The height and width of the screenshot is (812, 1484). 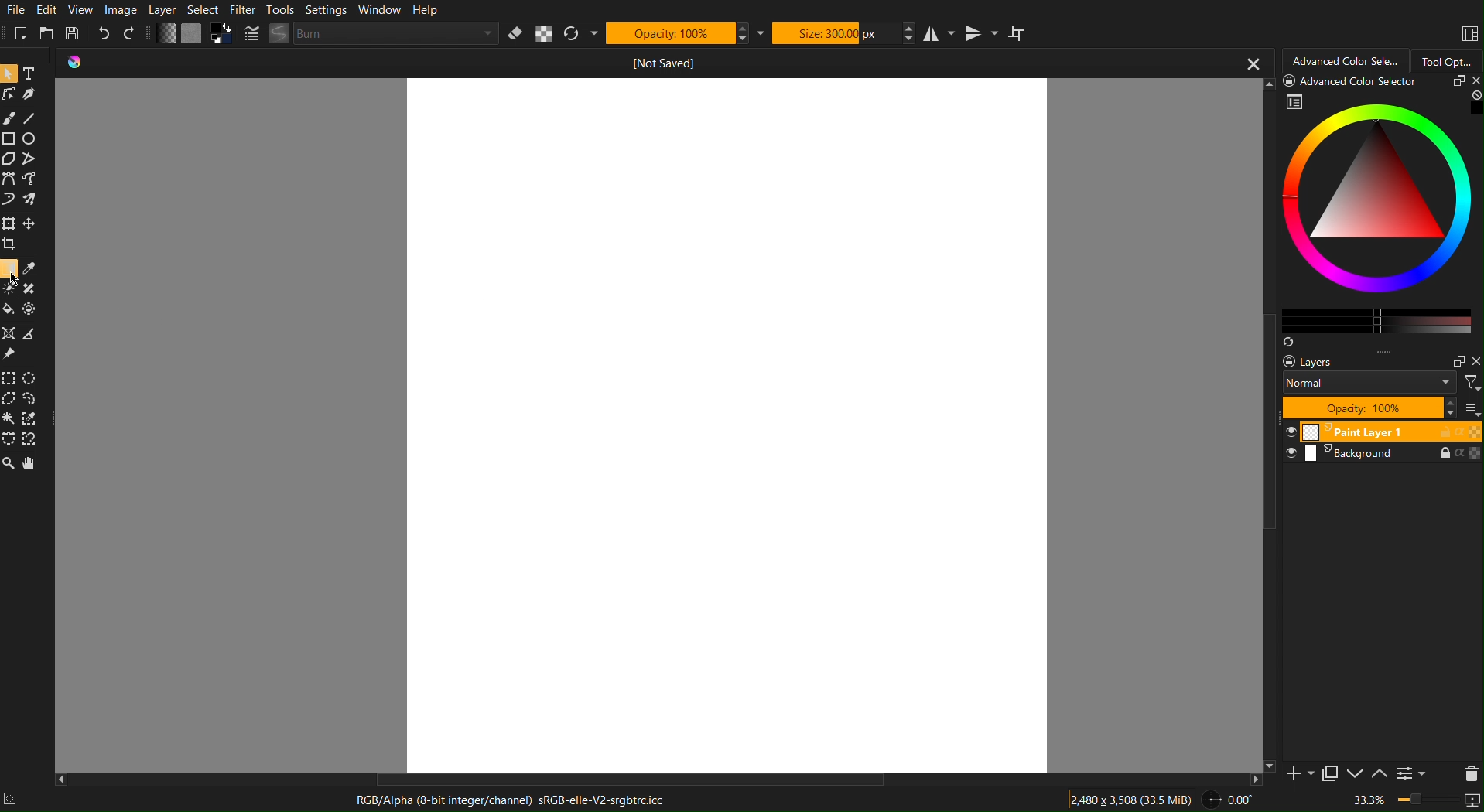 What do you see at coordinates (834, 32) in the screenshot?
I see `Size` at bounding box center [834, 32].